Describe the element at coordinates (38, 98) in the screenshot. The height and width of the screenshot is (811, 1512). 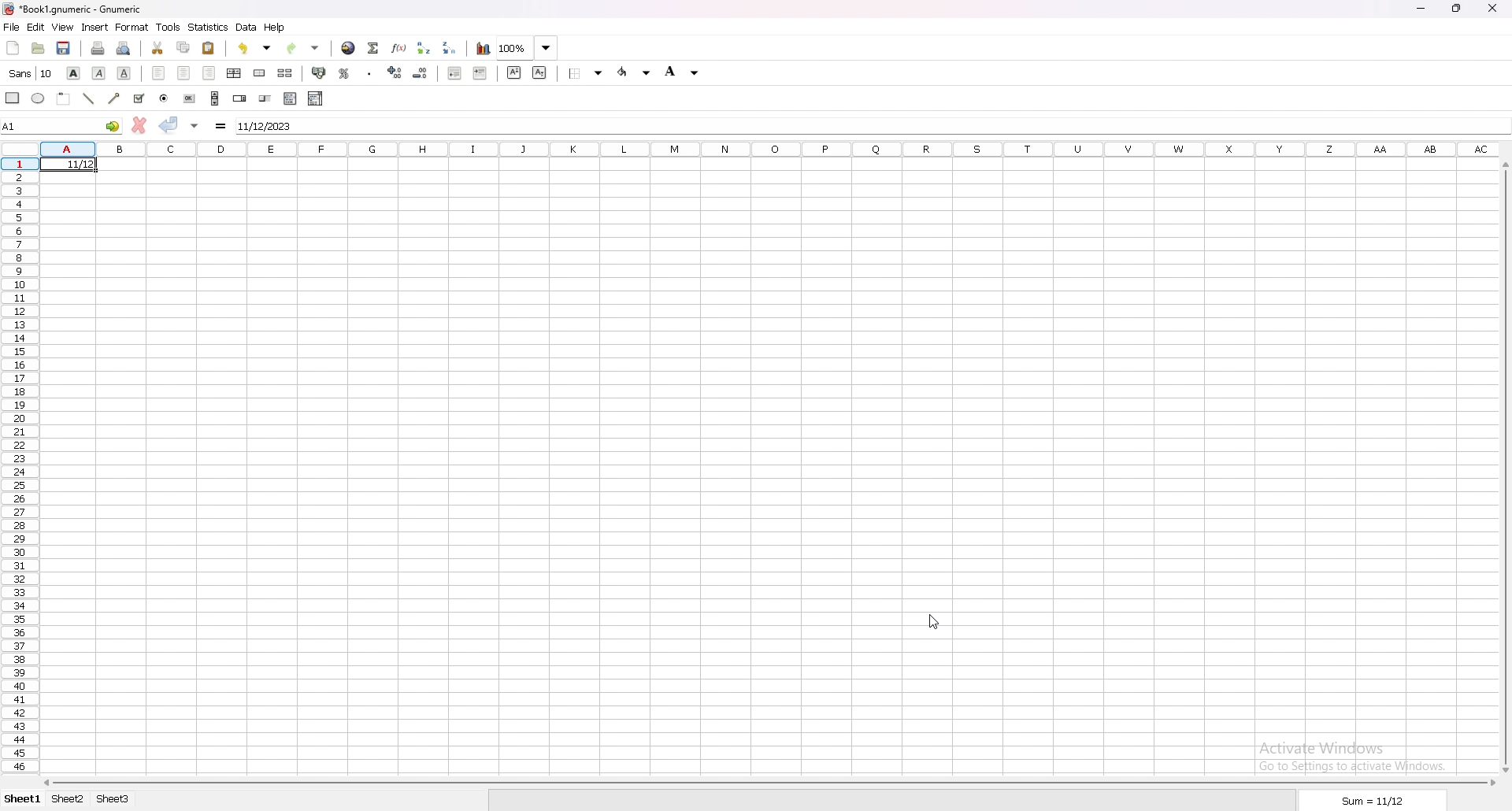
I see `ellipse` at that location.